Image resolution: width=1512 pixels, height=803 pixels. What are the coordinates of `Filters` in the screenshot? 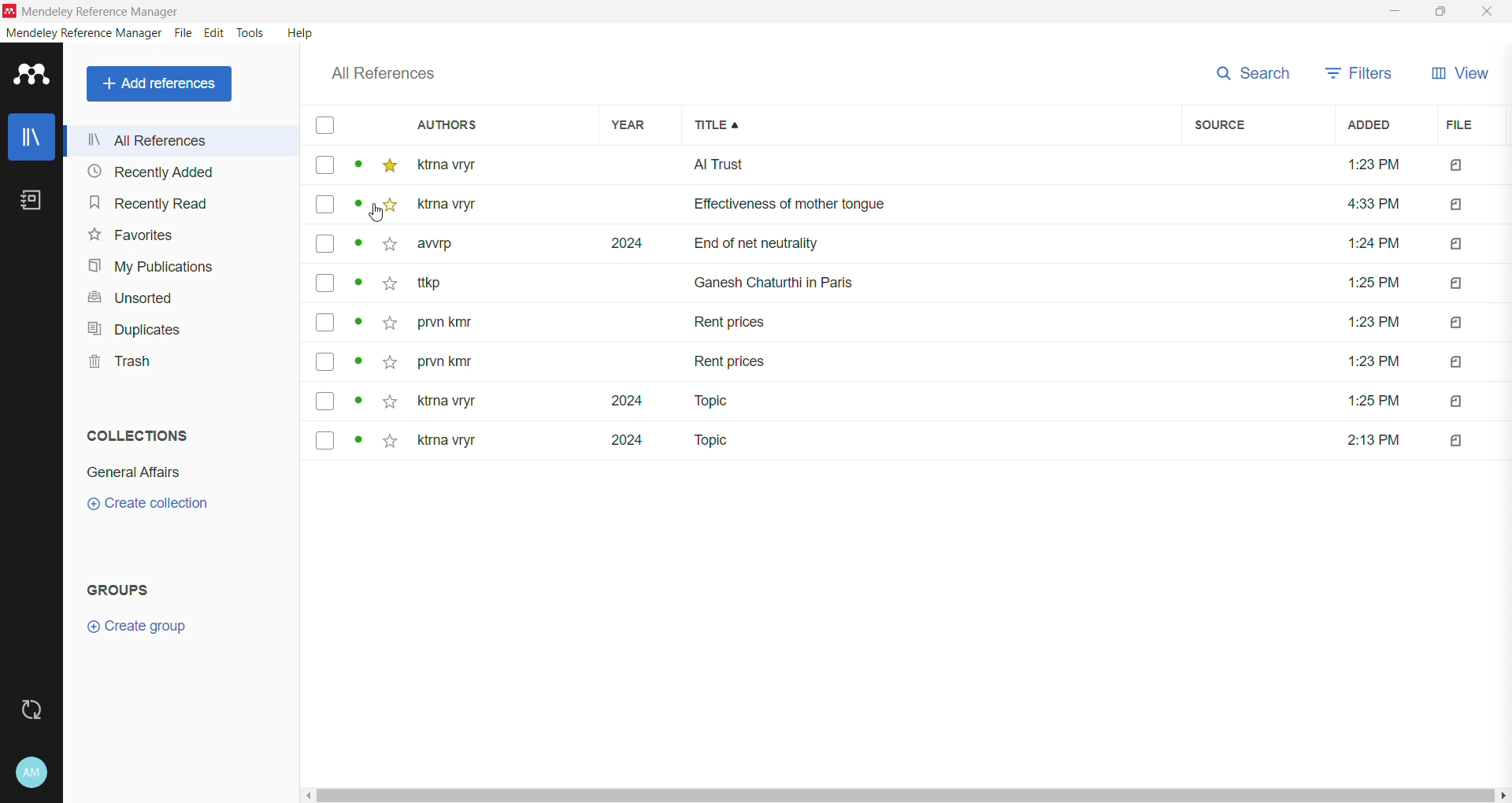 It's located at (1359, 73).